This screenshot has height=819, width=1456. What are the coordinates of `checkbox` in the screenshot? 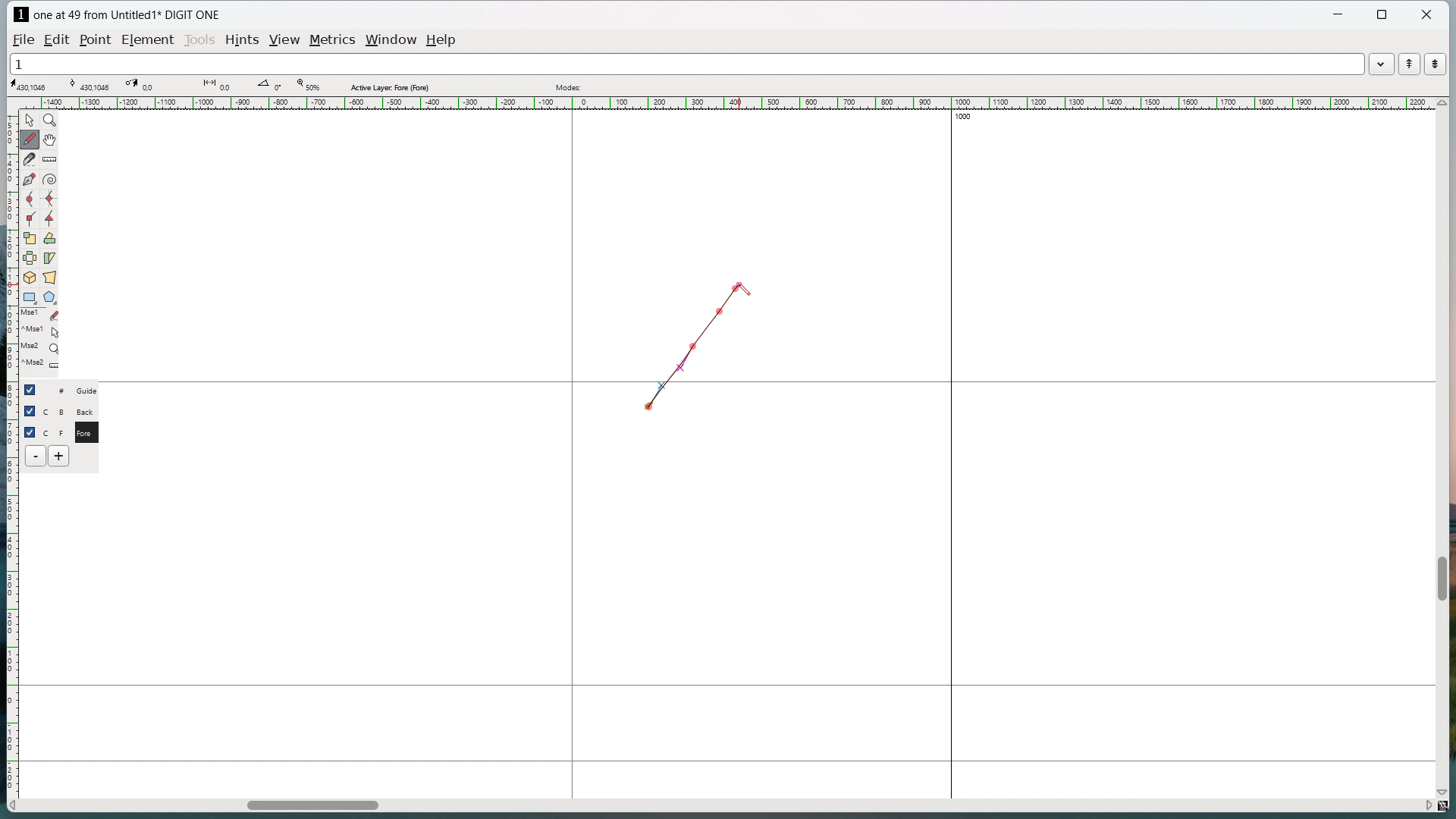 It's located at (33, 389).